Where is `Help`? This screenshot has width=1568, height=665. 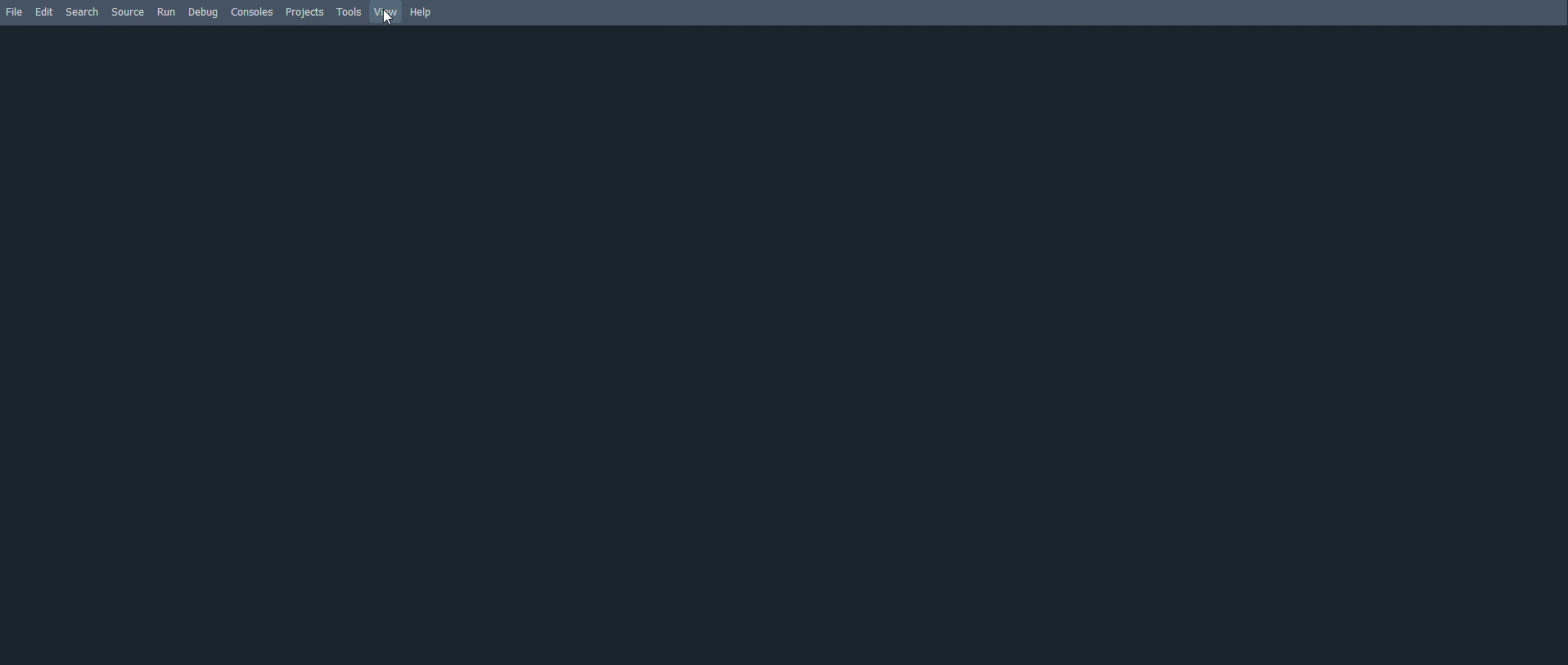
Help is located at coordinates (422, 11).